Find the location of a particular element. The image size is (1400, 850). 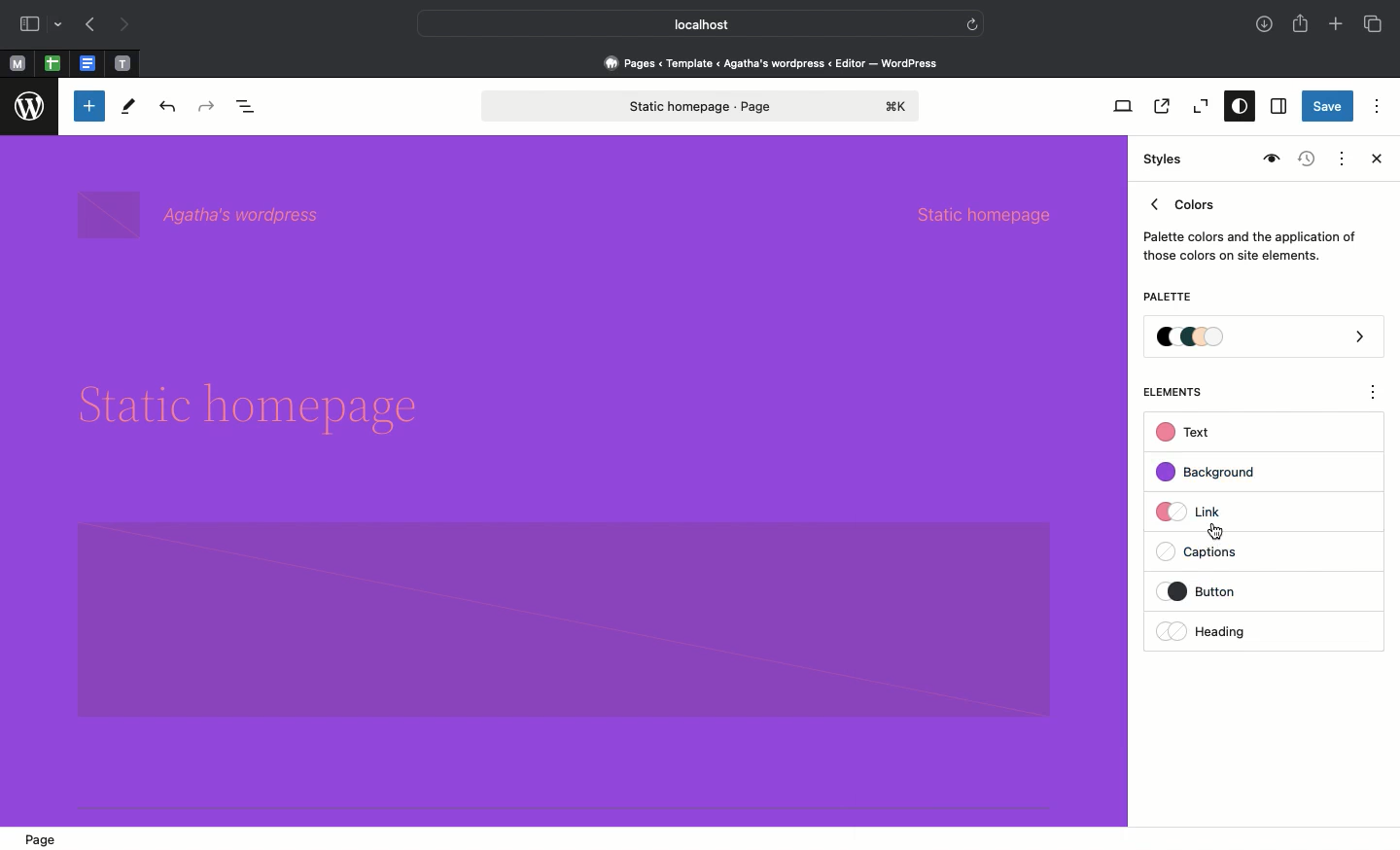

Text is located at coordinates (1186, 433).